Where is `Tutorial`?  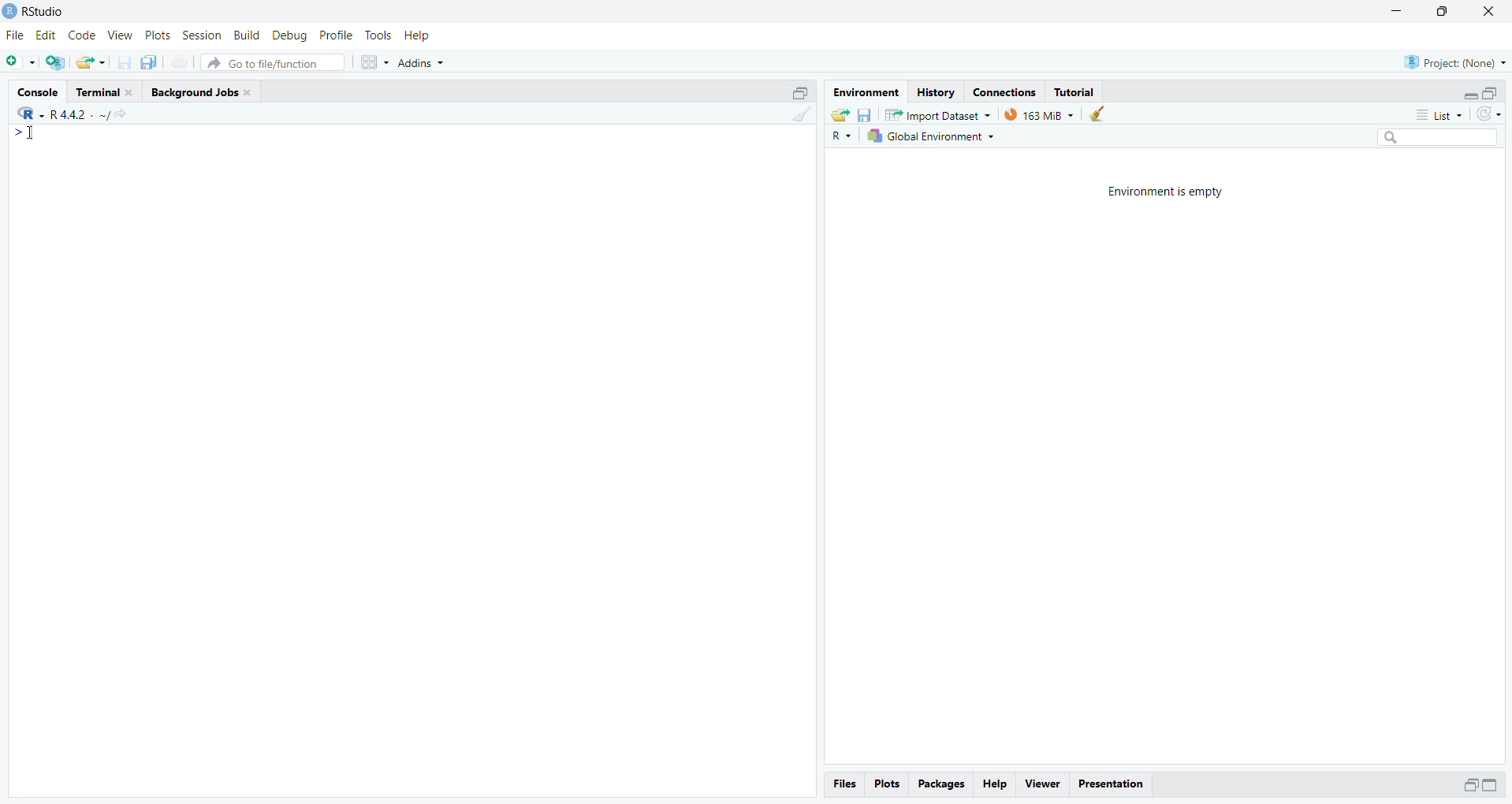 Tutorial is located at coordinates (1076, 92).